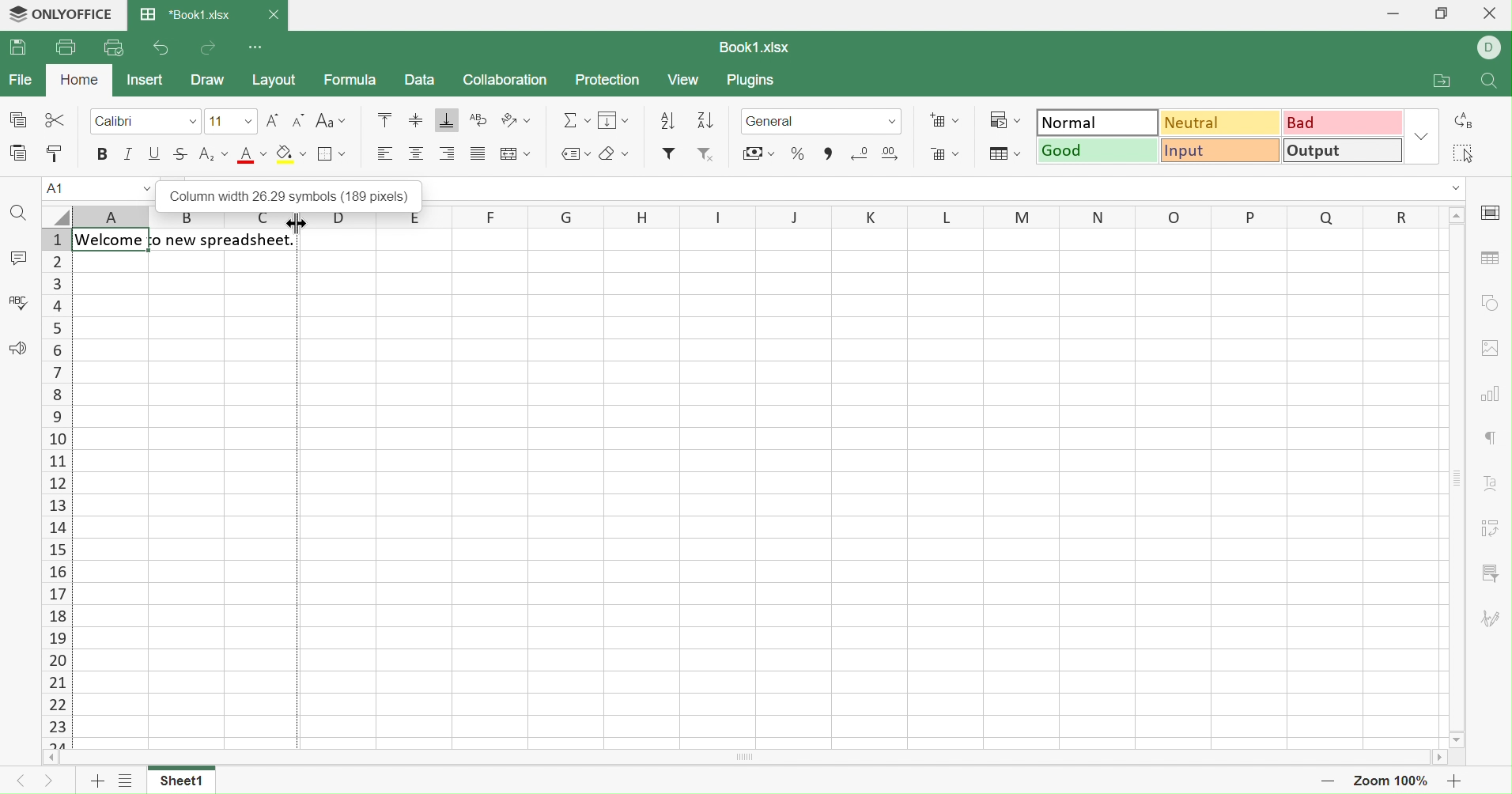 The width and height of the screenshot is (1512, 794). I want to click on Bad, so click(1345, 121).